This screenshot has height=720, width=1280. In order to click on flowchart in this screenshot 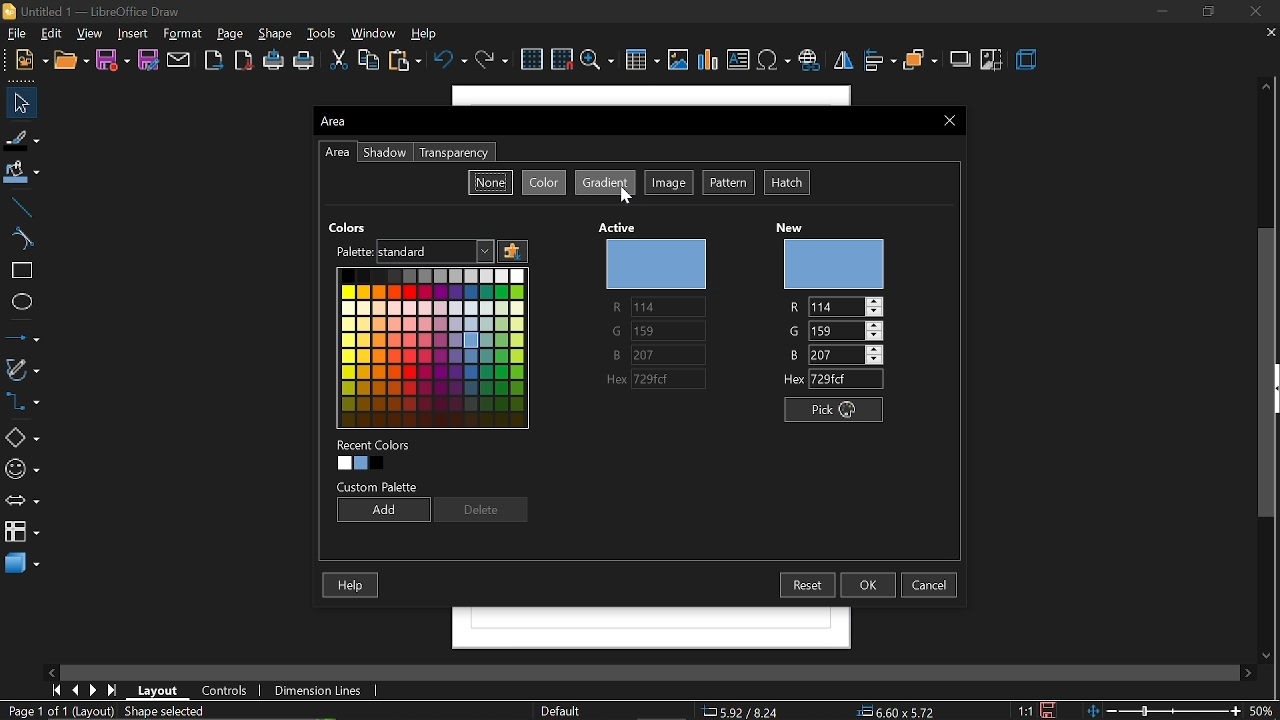, I will do `click(21, 530)`.